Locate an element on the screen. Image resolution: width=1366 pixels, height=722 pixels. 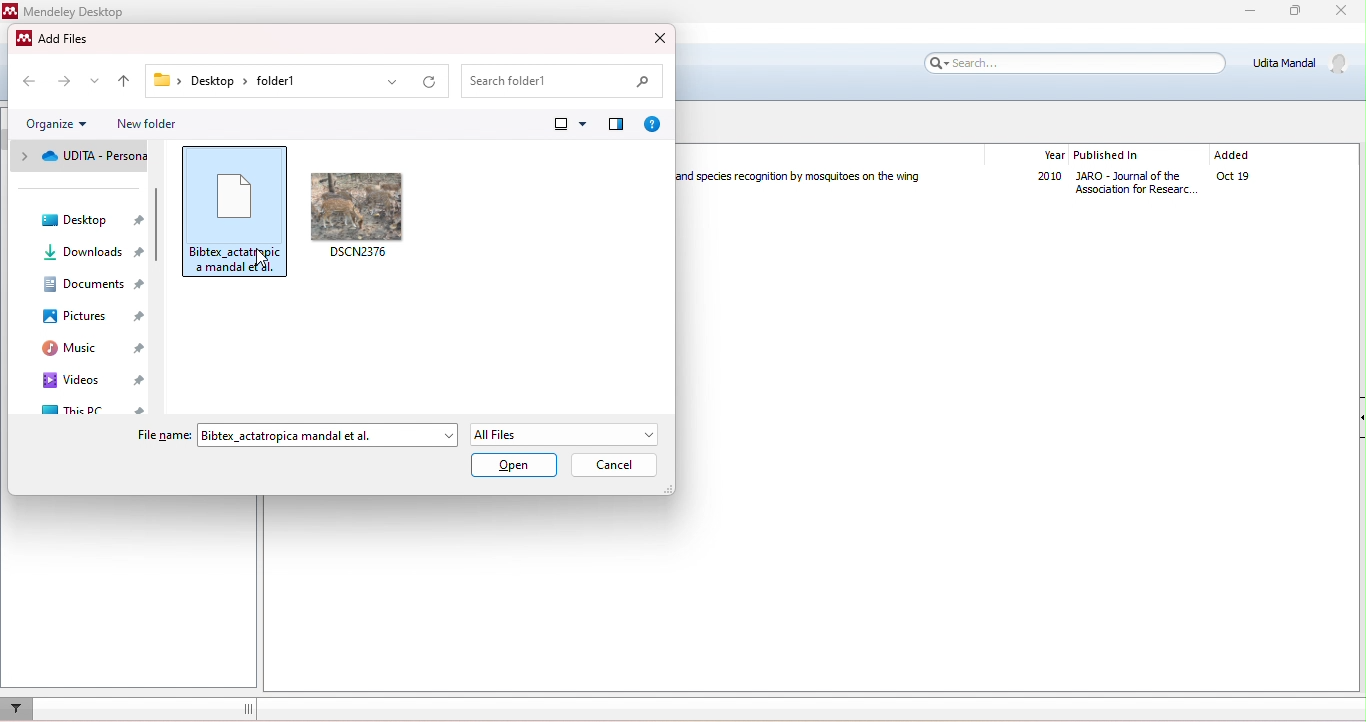
filter is located at coordinates (16, 708).